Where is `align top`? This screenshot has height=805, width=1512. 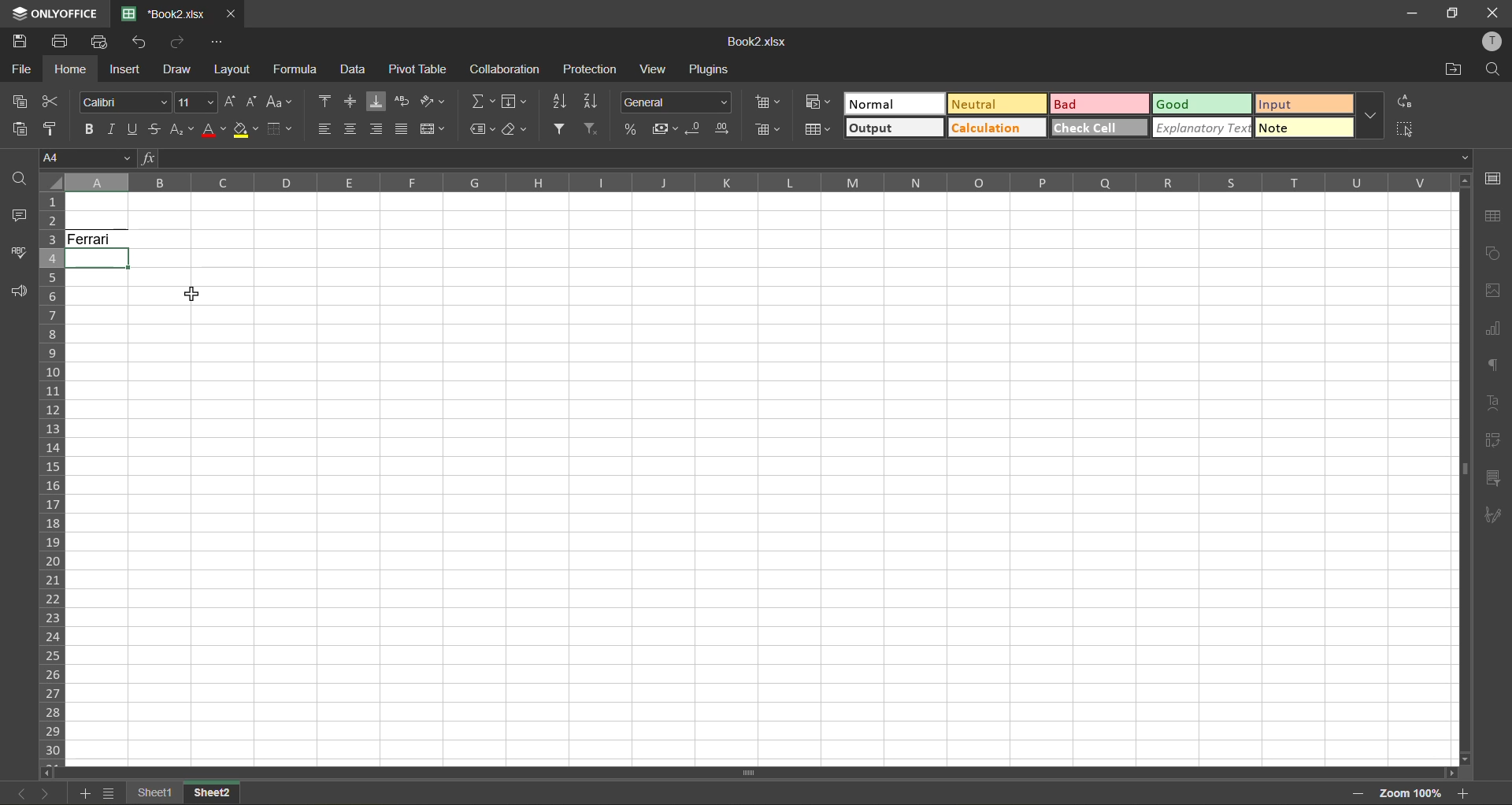 align top is located at coordinates (325, 101).